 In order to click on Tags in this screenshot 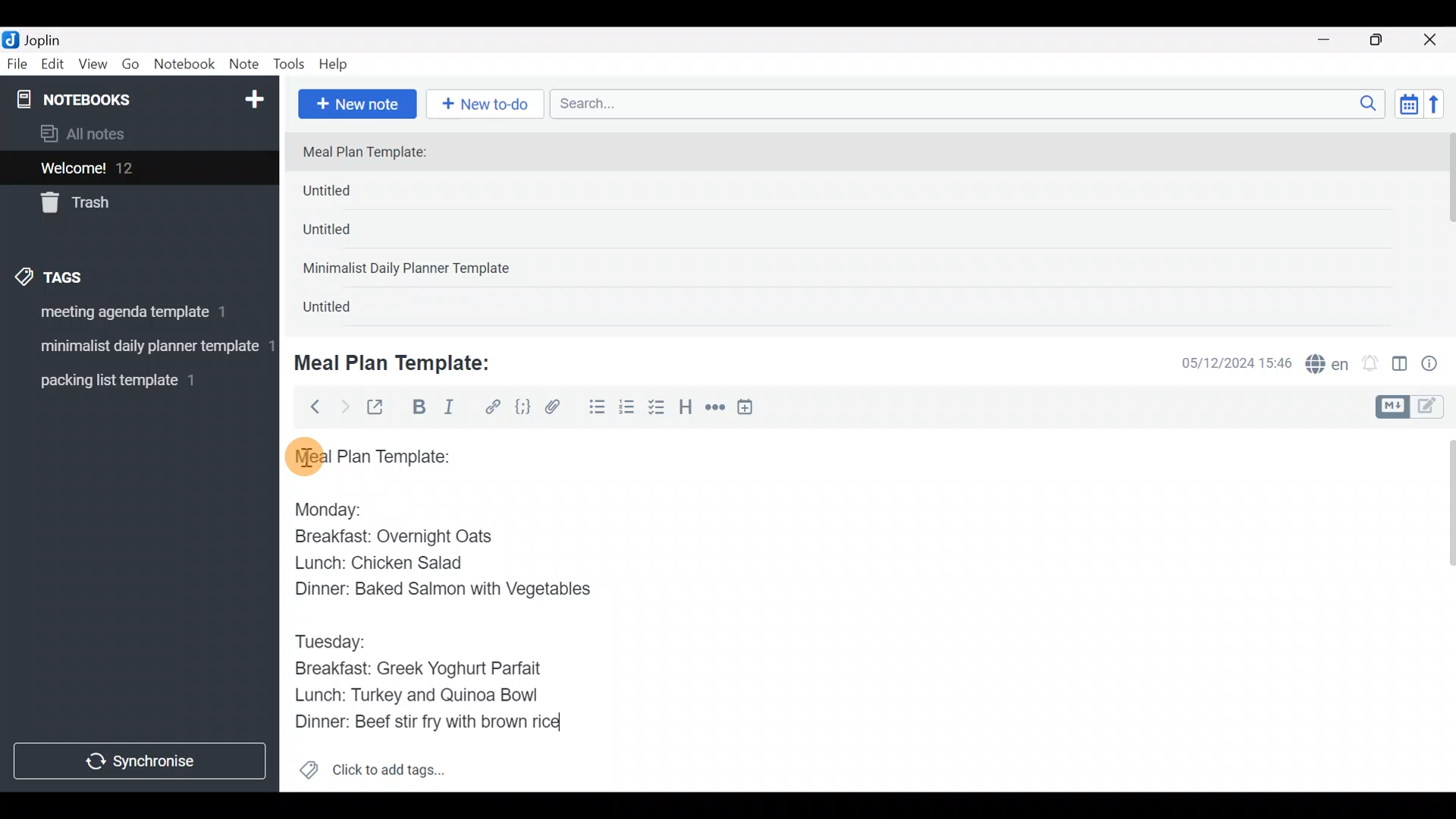, I will do `click(85, 275)`.